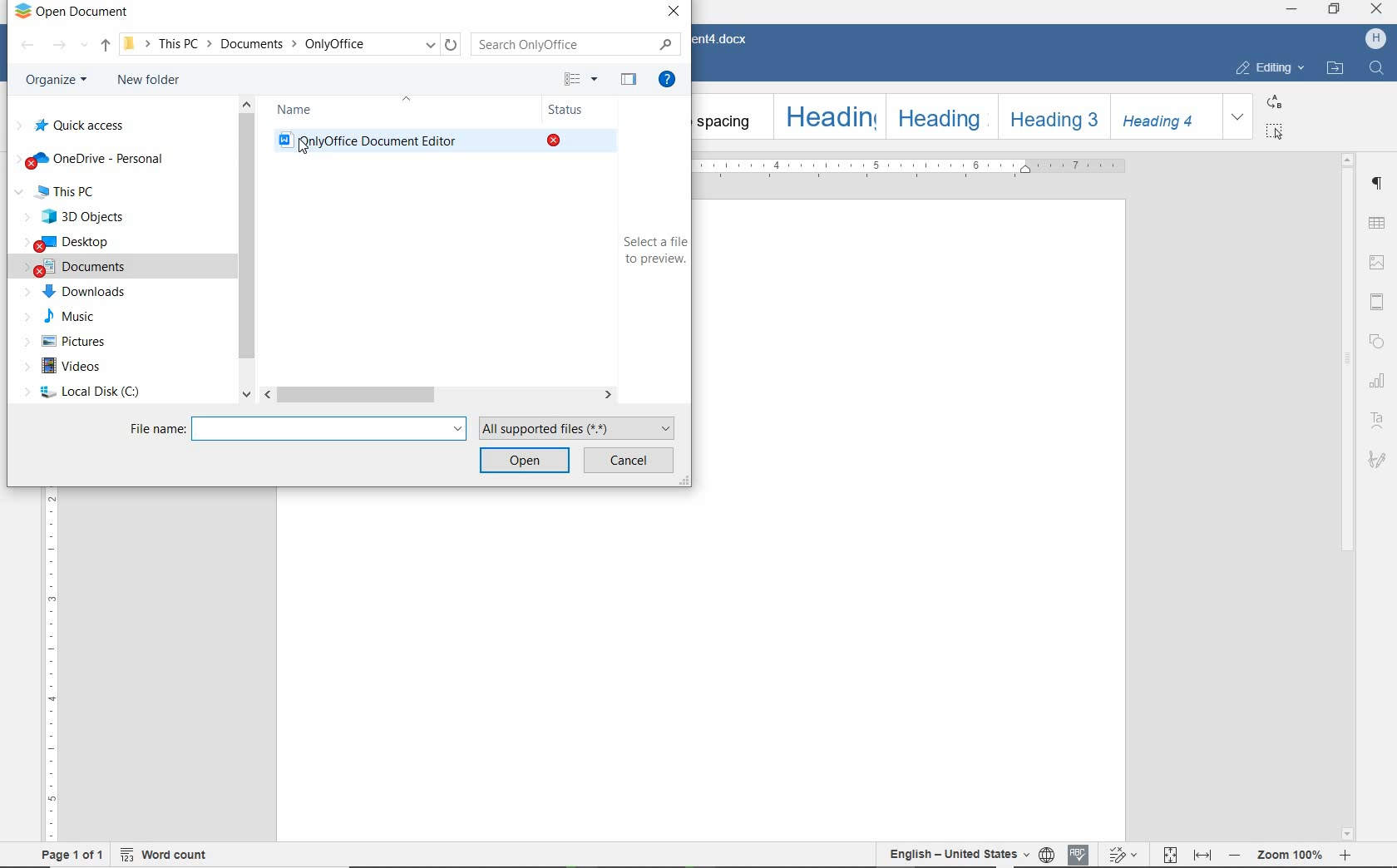 The width and height of the screenshot is (1397, 868). What do you see at coordinates (1379, 381) in the screenshot?
I see `chart` at bounding box center [1379, 381].